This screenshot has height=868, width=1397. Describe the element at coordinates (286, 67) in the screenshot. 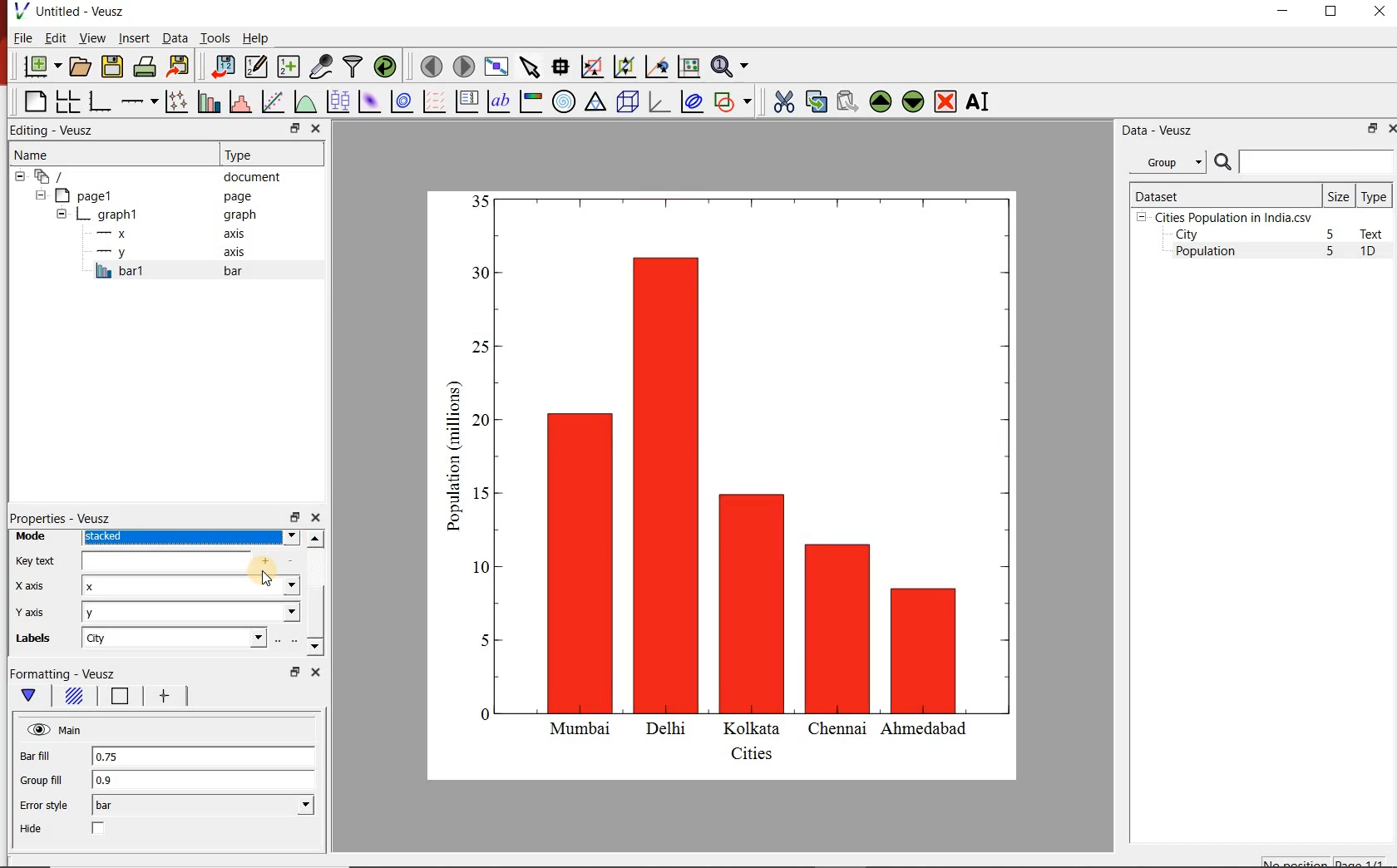

I see `create new datasets using available options` at that location.